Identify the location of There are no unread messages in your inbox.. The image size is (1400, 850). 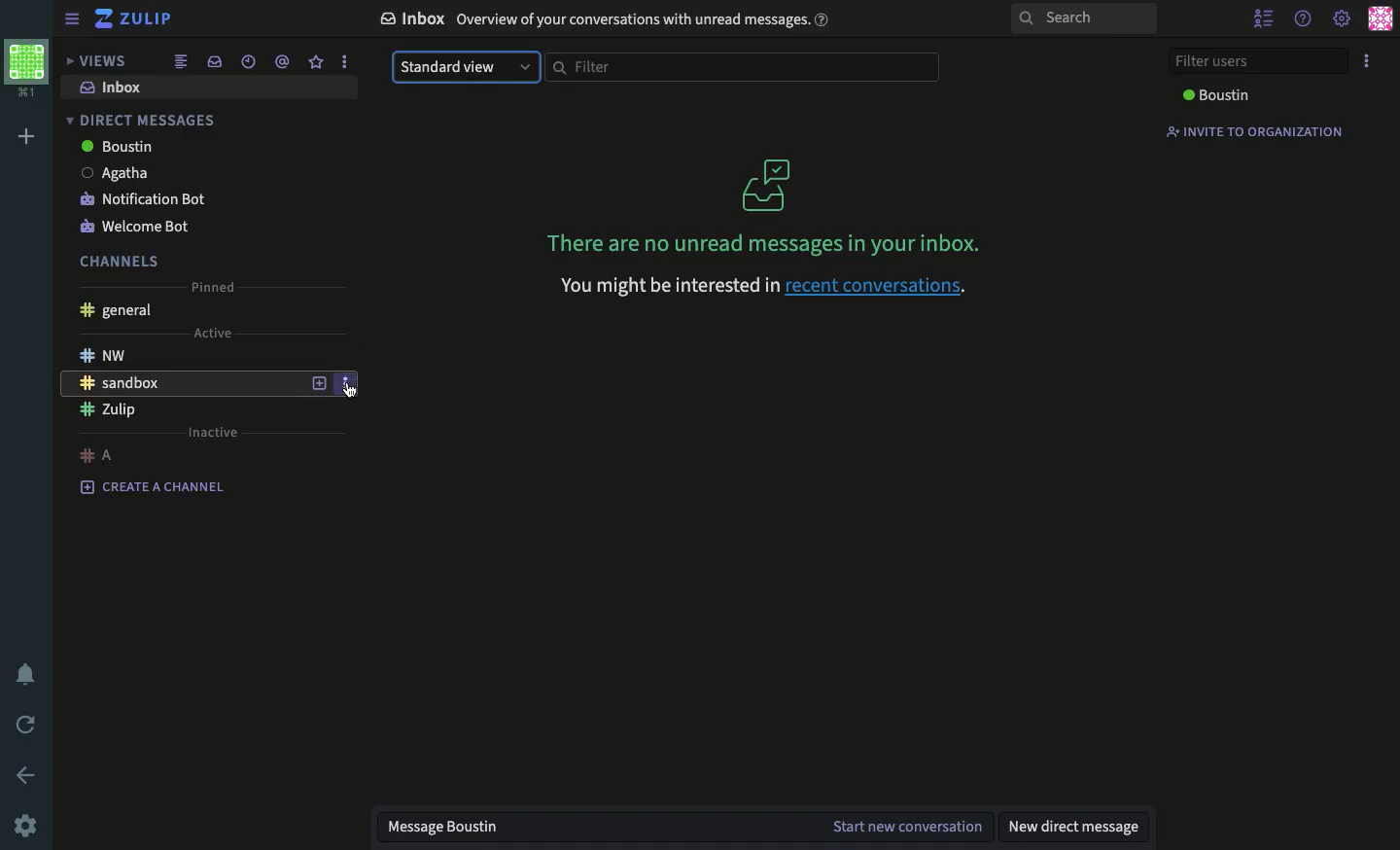
(766, 204).